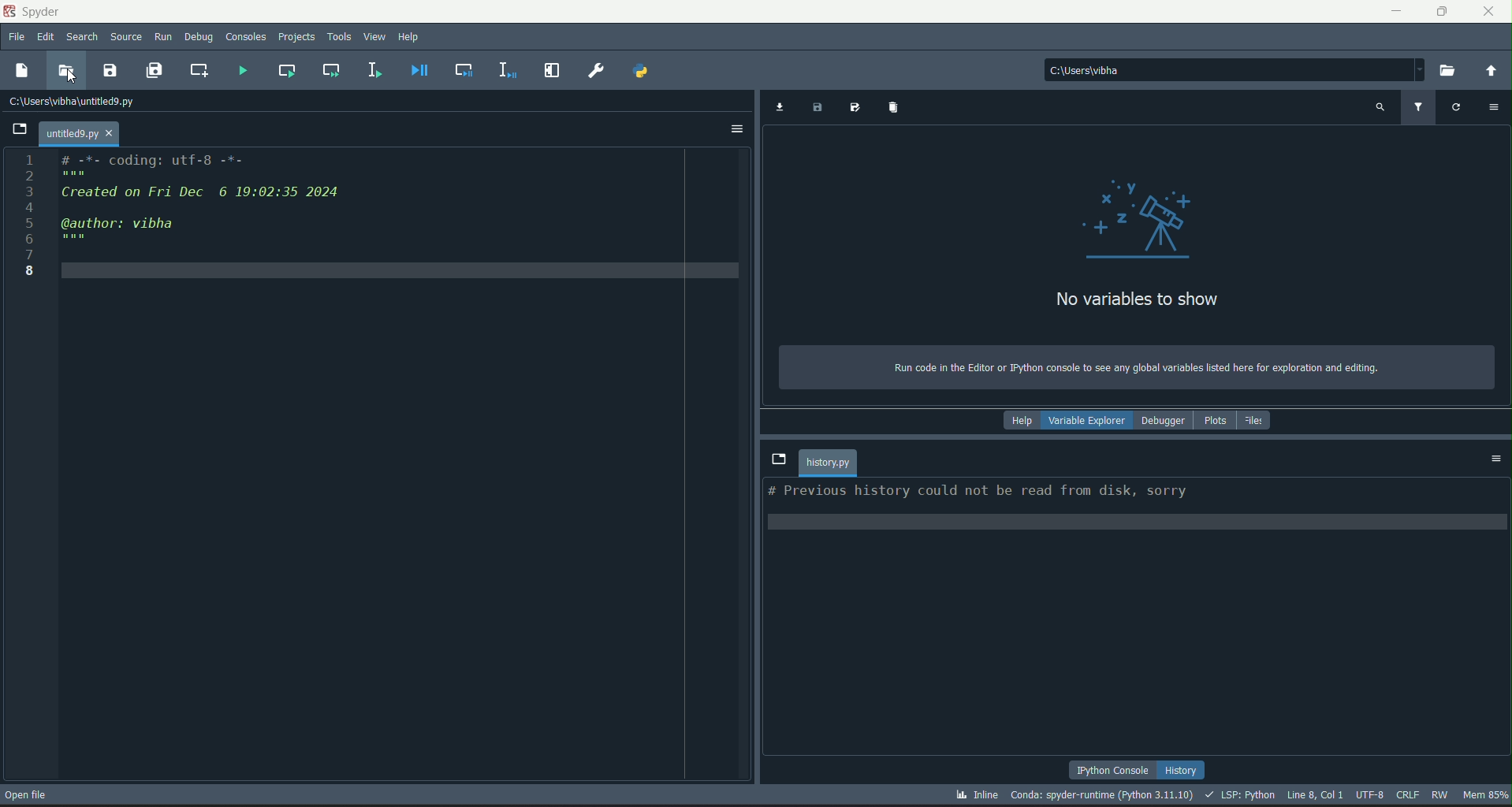  Describe the element at coordinates (1115, 769) in the screenshot. I see `python console` at that location.